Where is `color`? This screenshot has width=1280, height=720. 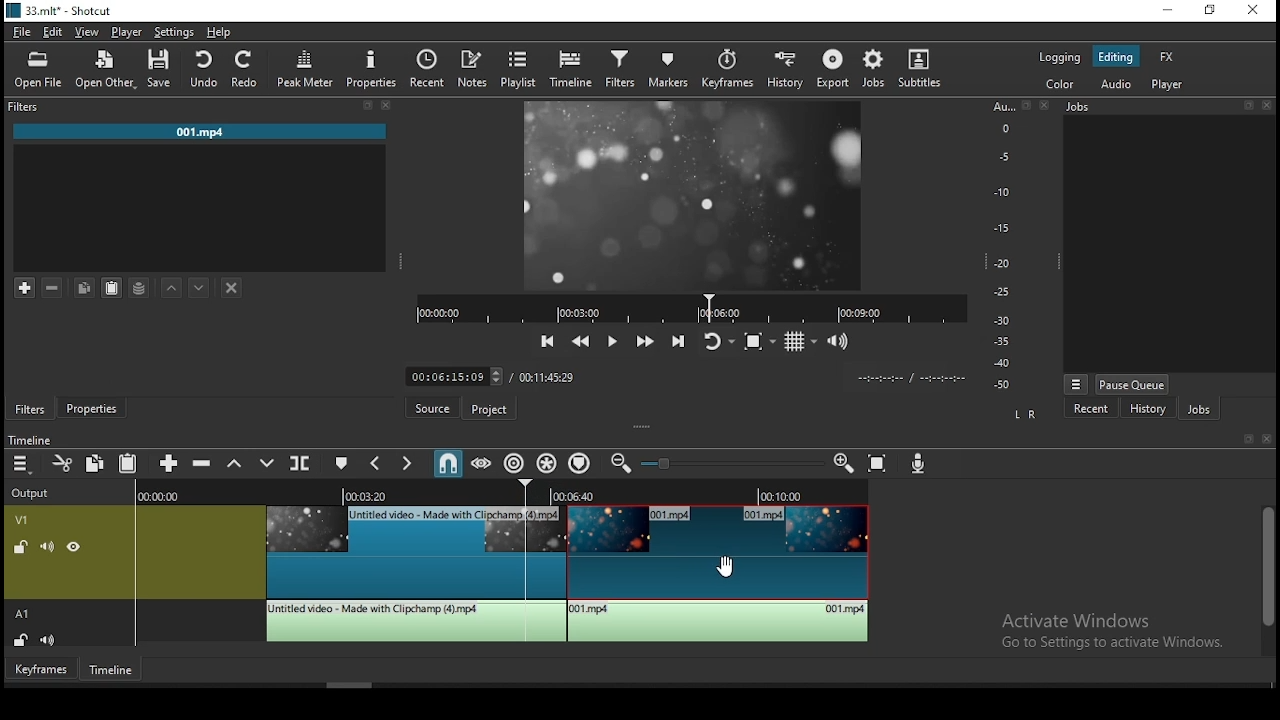
color is located at coordinates (1061, 83).